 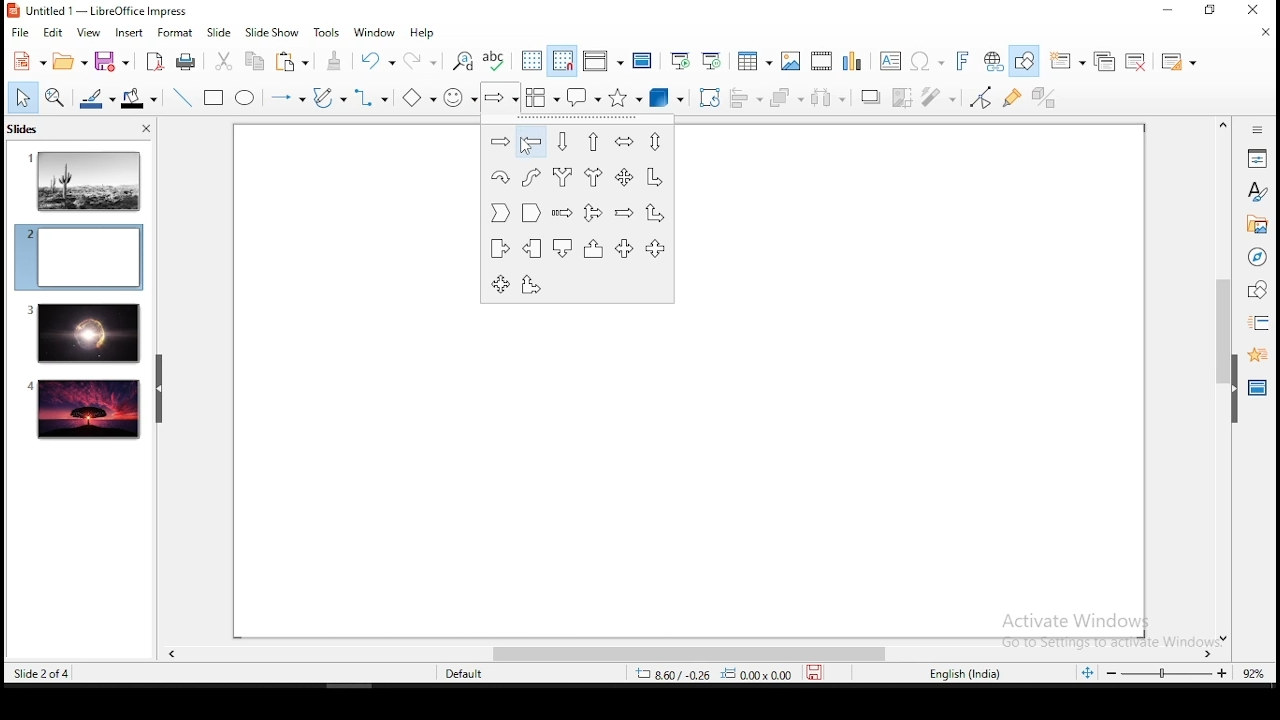 I want to click on slide 1, so click(x=85, y=180).